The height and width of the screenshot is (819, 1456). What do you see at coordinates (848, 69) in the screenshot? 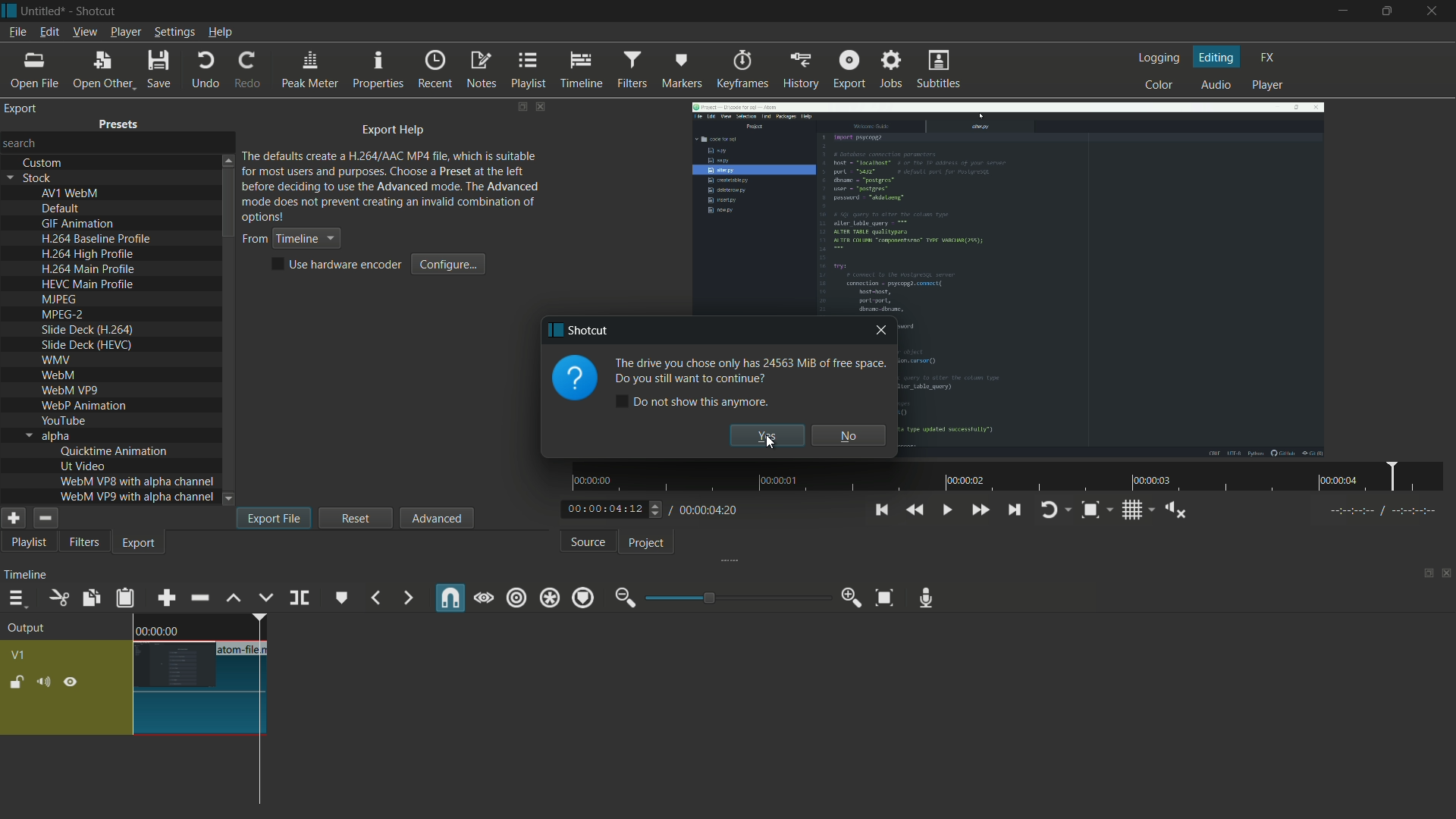
I see `export` at bounding box center [848, 69].